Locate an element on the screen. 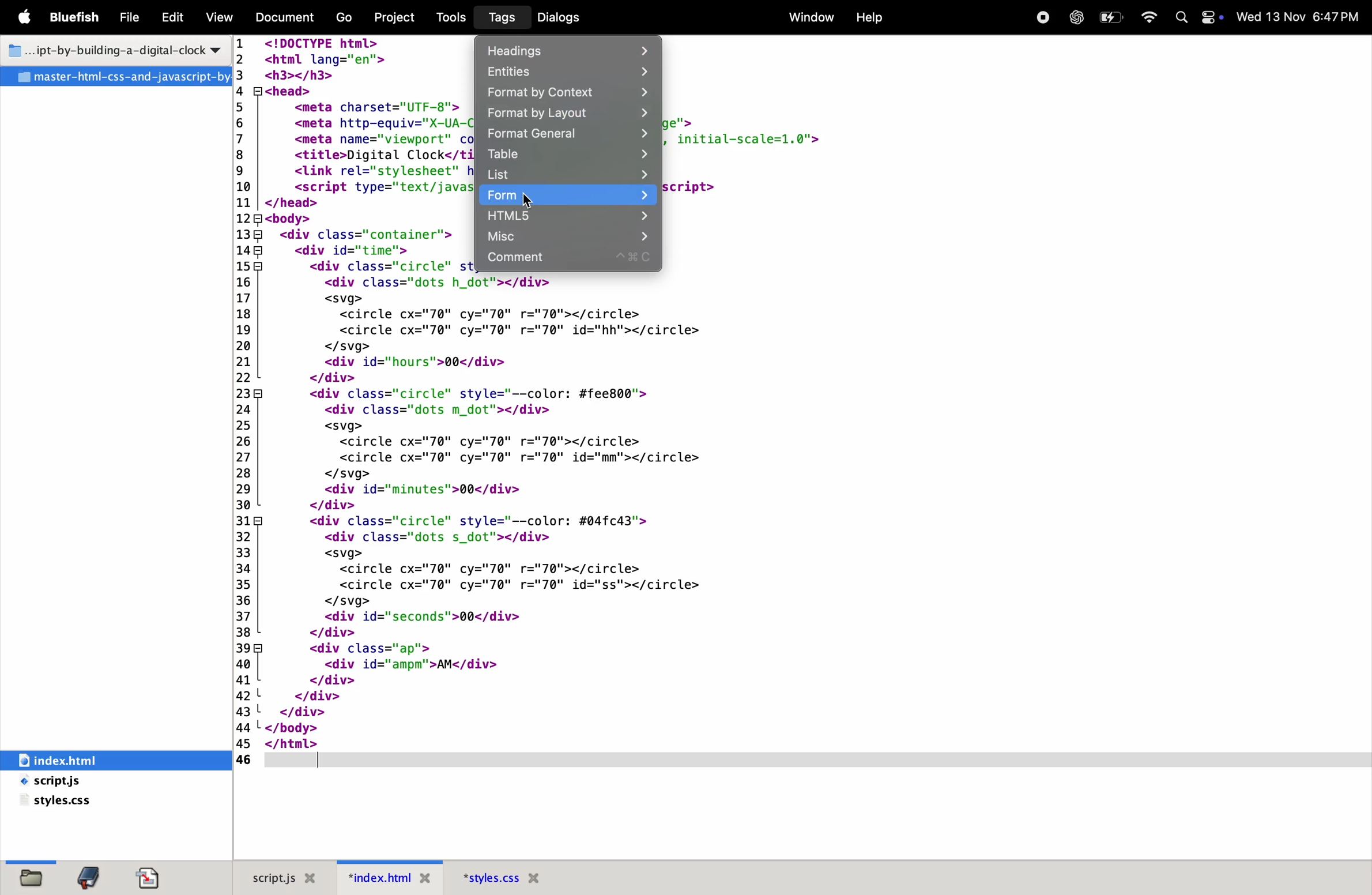  index.html is located at coordinates (377, 877).